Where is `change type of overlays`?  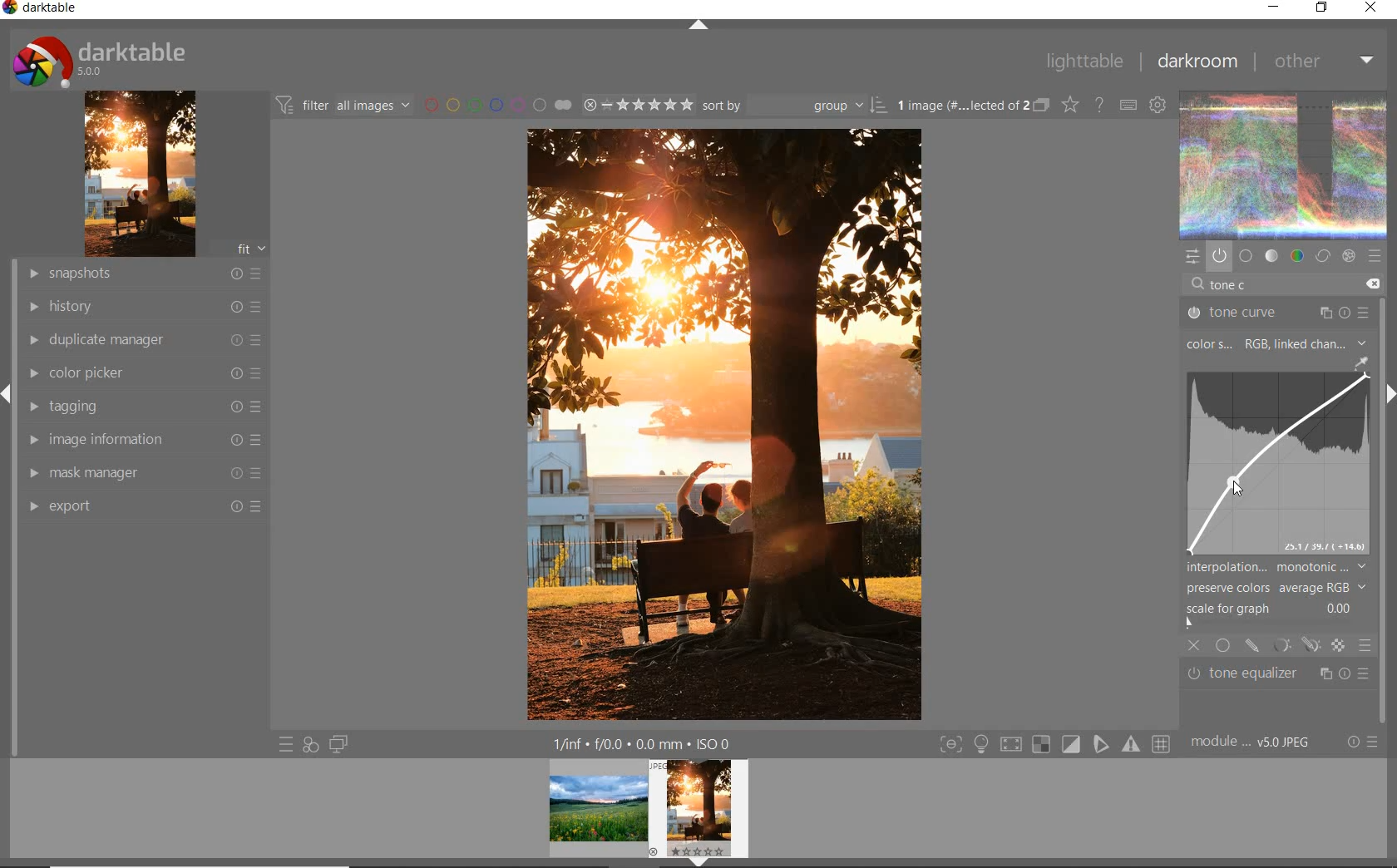
change type of overlays is located at coordinates (1071, 104).